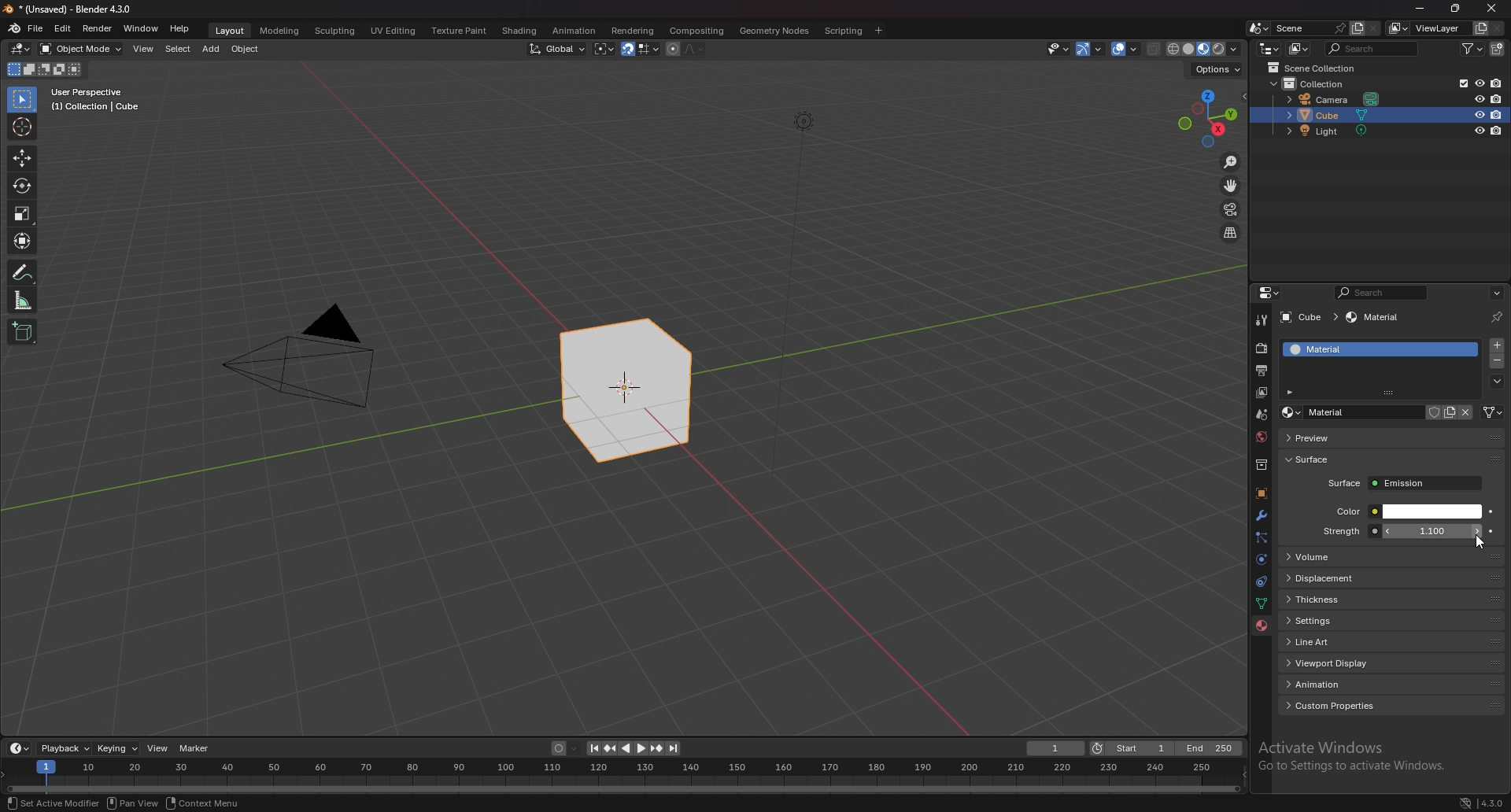 The image size is (1511, 812). I want to click on jump to keyframe, so click(657, 748).